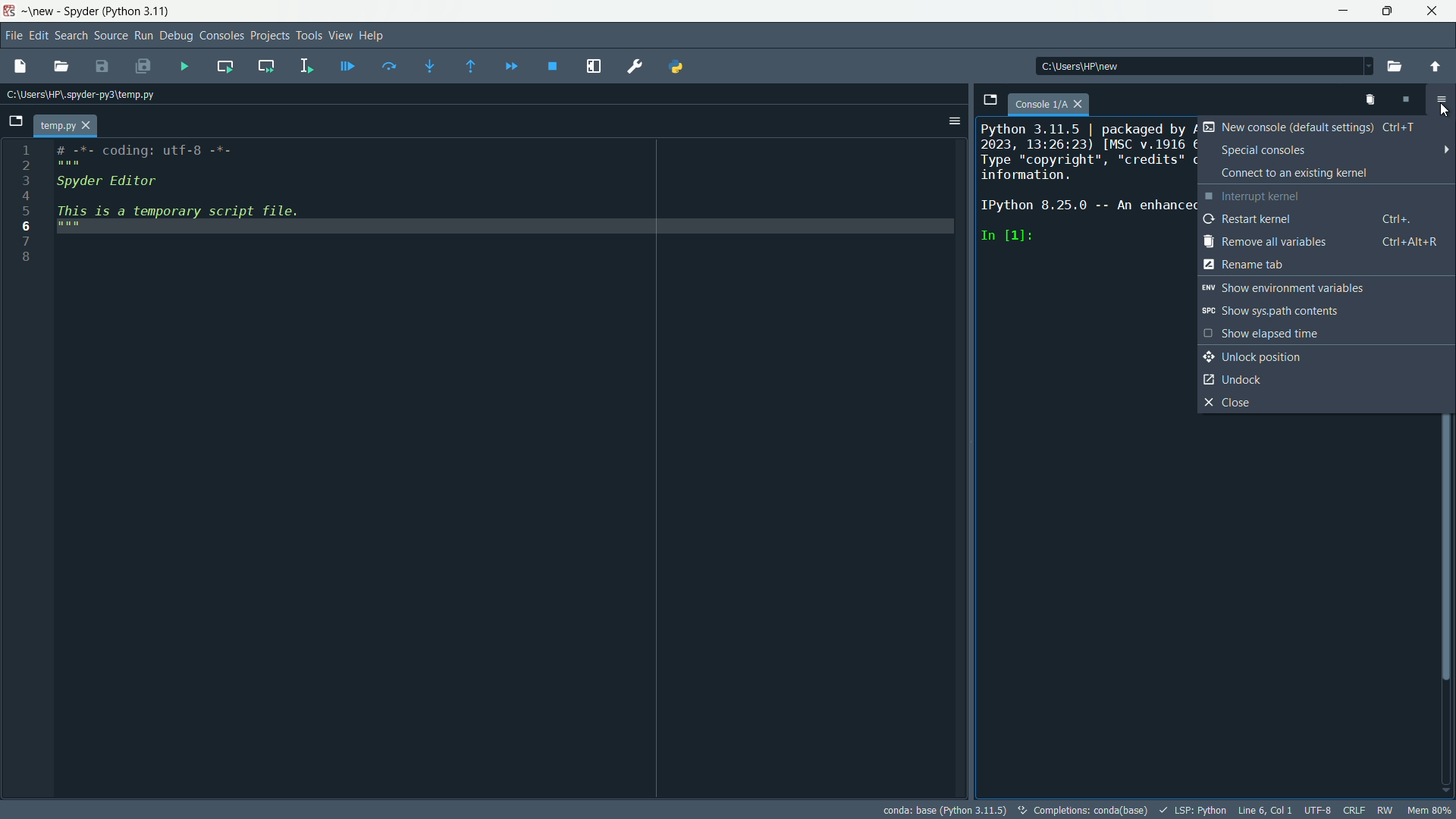  What do you see at coordinates (1272, 357) in the screenshot?
I see `Unlock Positions` at bounding box center [1272, 357].